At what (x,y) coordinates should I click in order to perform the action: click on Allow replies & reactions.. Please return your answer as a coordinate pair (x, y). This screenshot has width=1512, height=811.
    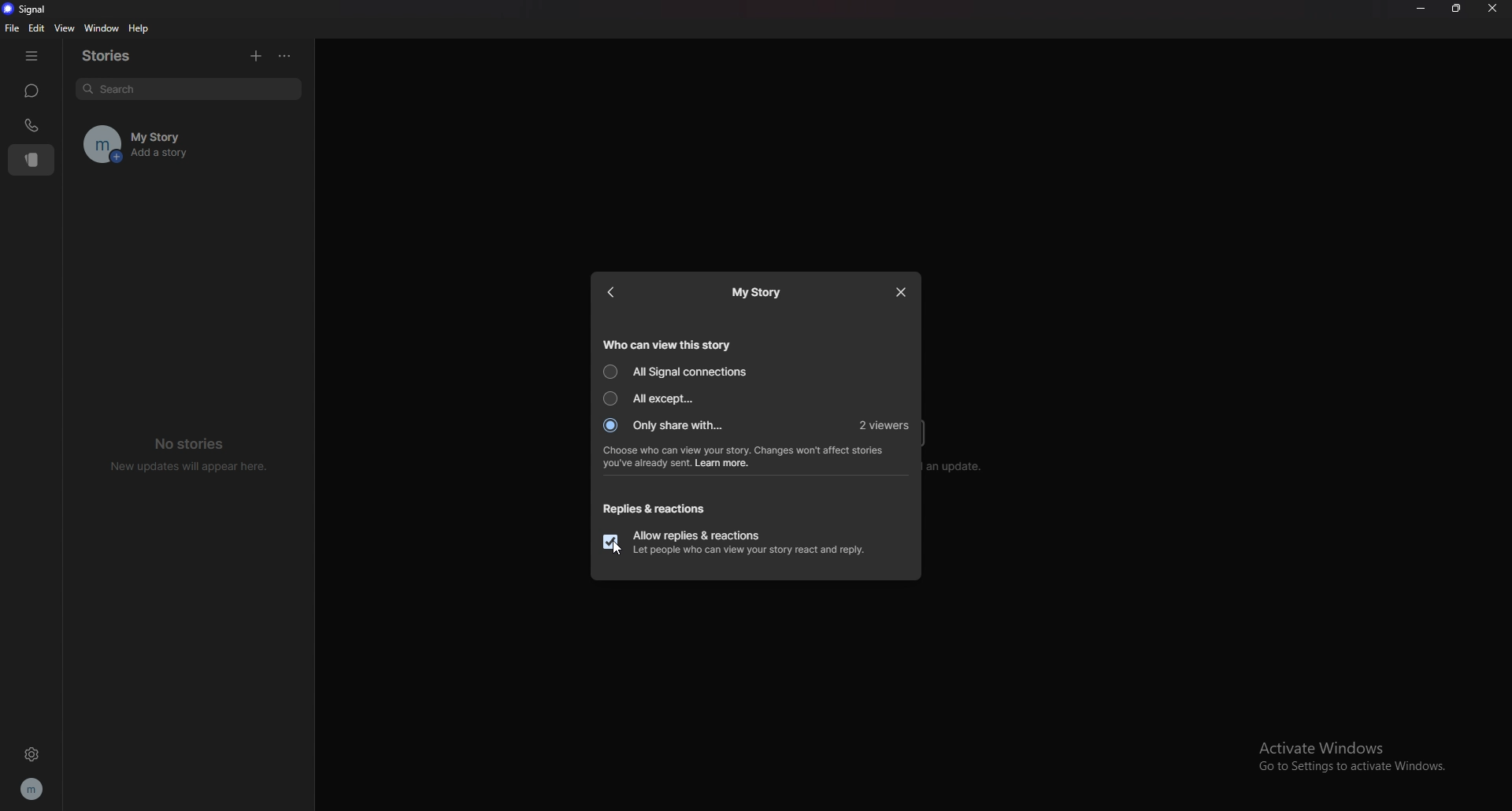
    Looking at the image, I should click on (698, 532).